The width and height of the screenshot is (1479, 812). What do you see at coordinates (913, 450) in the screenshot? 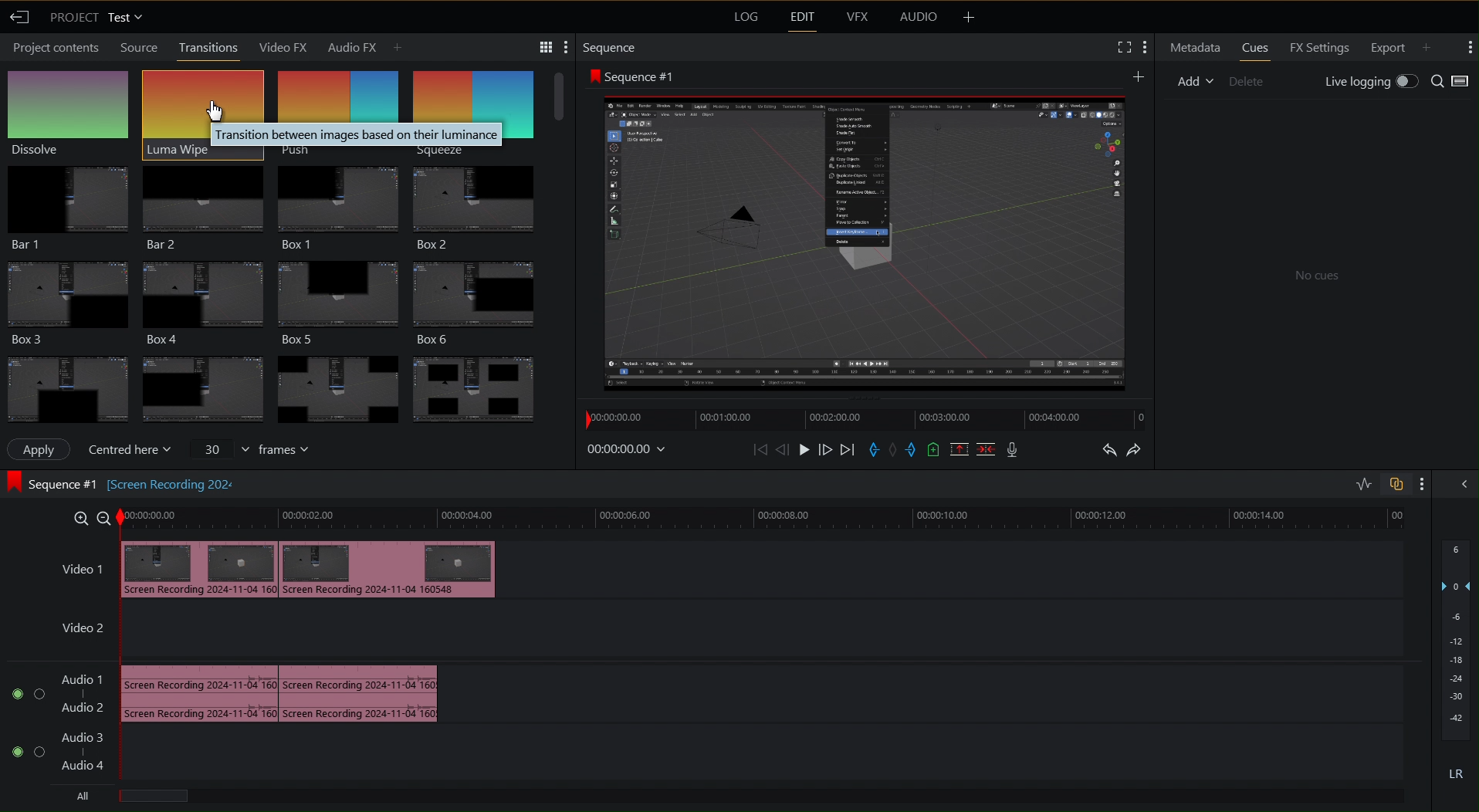
I see `Exit Marker` at bounding box center [913, 450].